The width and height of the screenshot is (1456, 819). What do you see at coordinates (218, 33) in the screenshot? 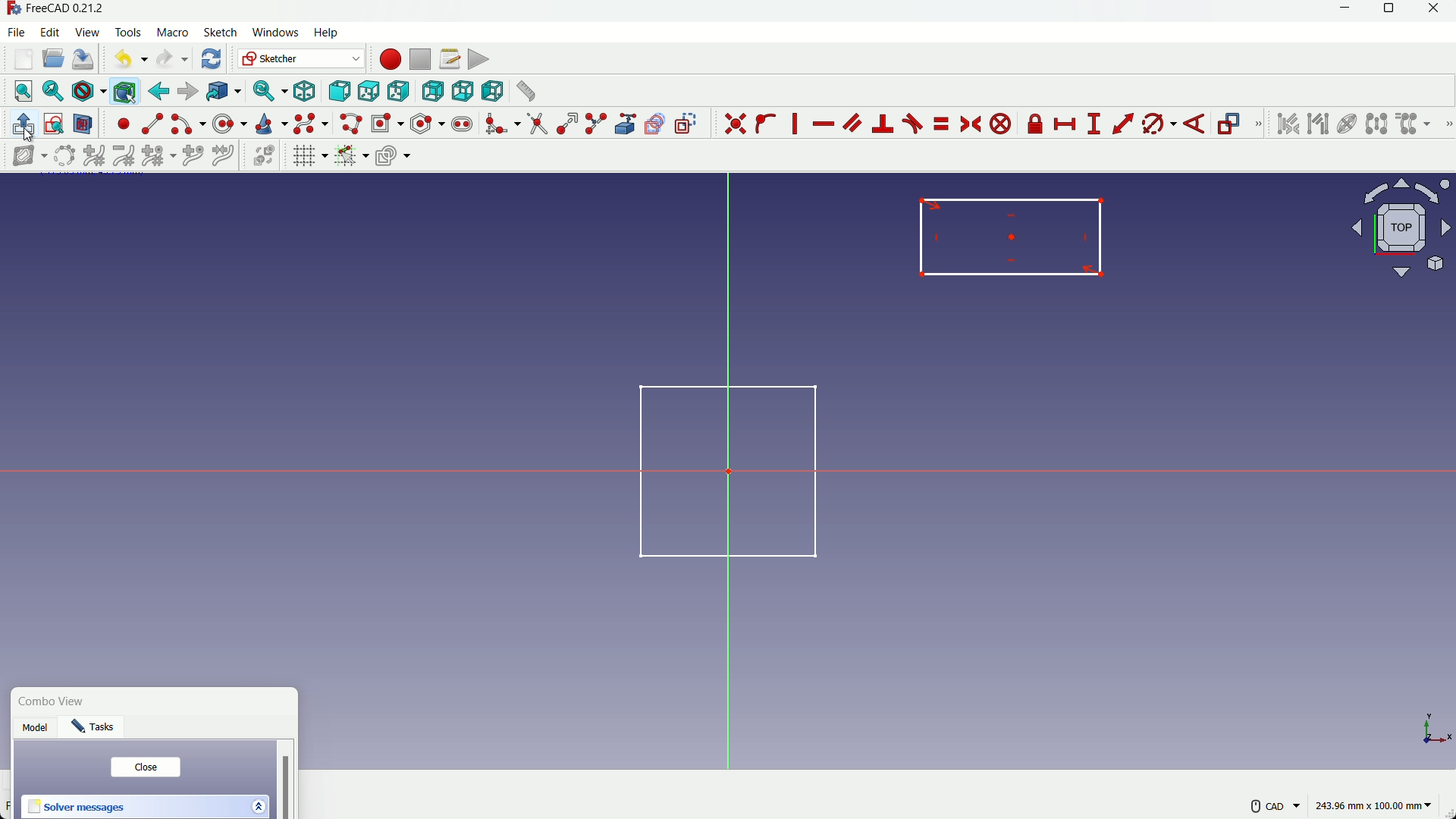
I see `sketch menu` at bounding box center [218, 33].